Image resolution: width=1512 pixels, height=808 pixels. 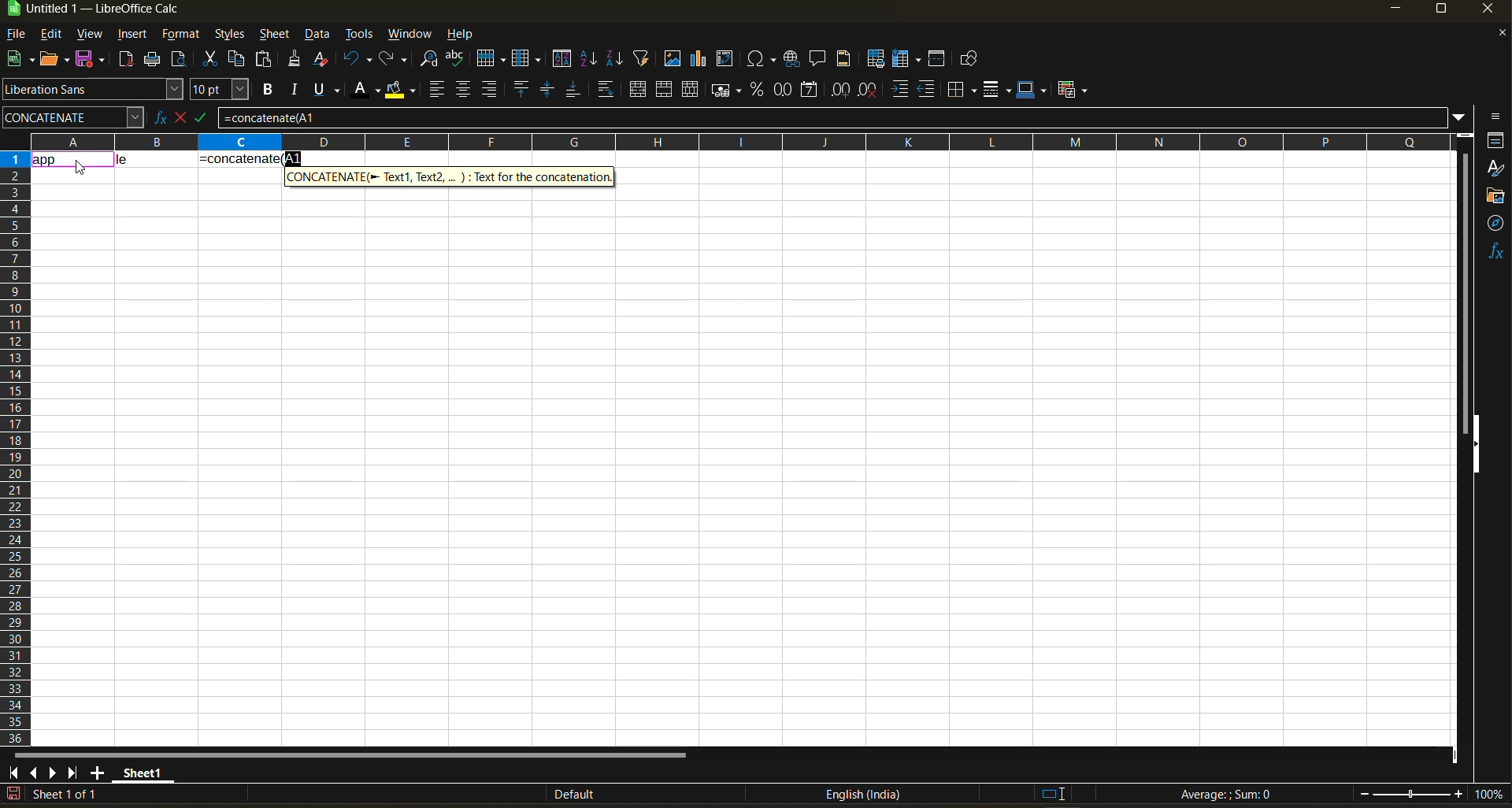 I want to click on conditional, so click(x=1075, y=89).